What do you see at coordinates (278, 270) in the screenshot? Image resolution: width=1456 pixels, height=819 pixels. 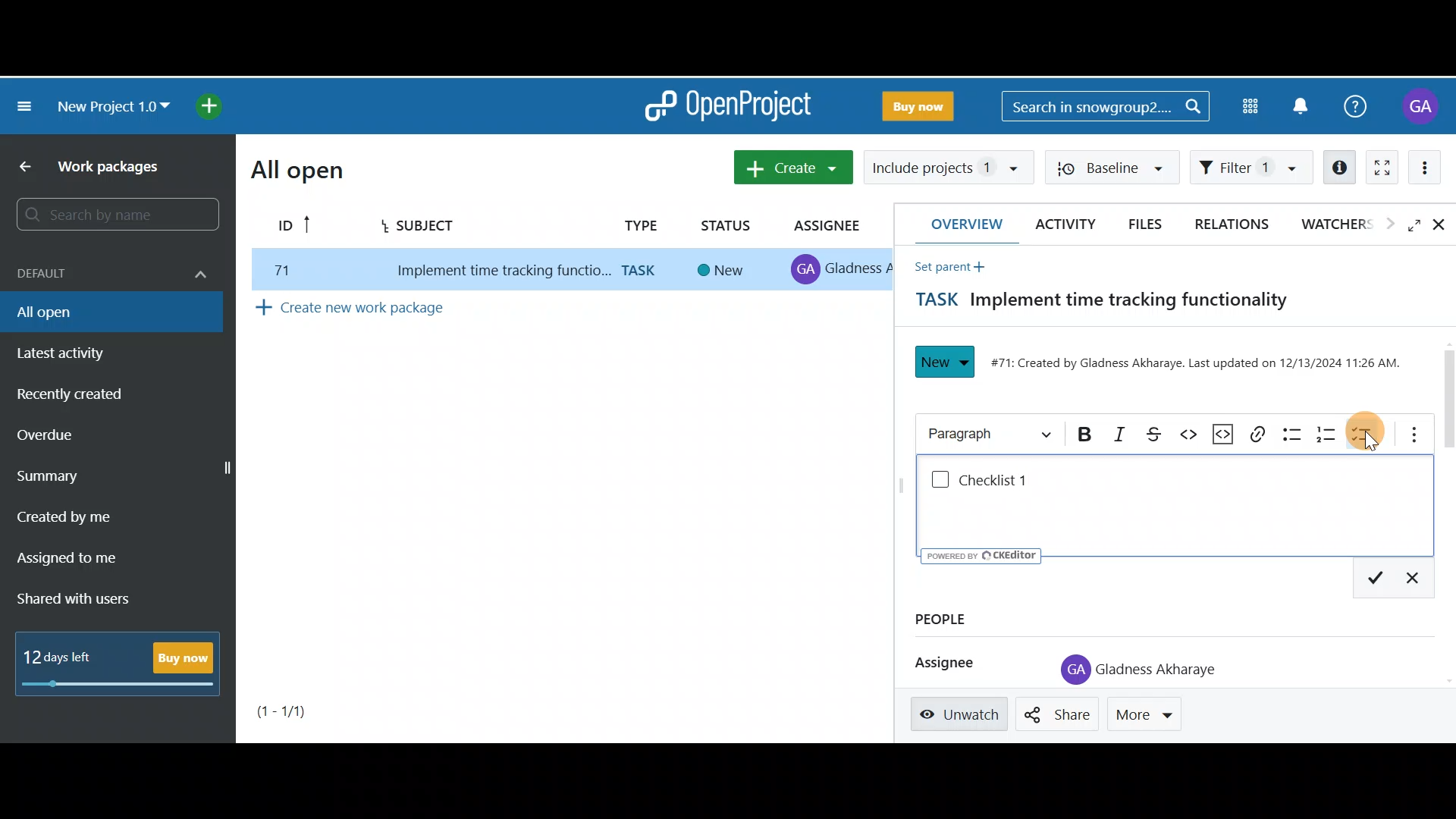 I see `77` at bounding box center [278, 270].